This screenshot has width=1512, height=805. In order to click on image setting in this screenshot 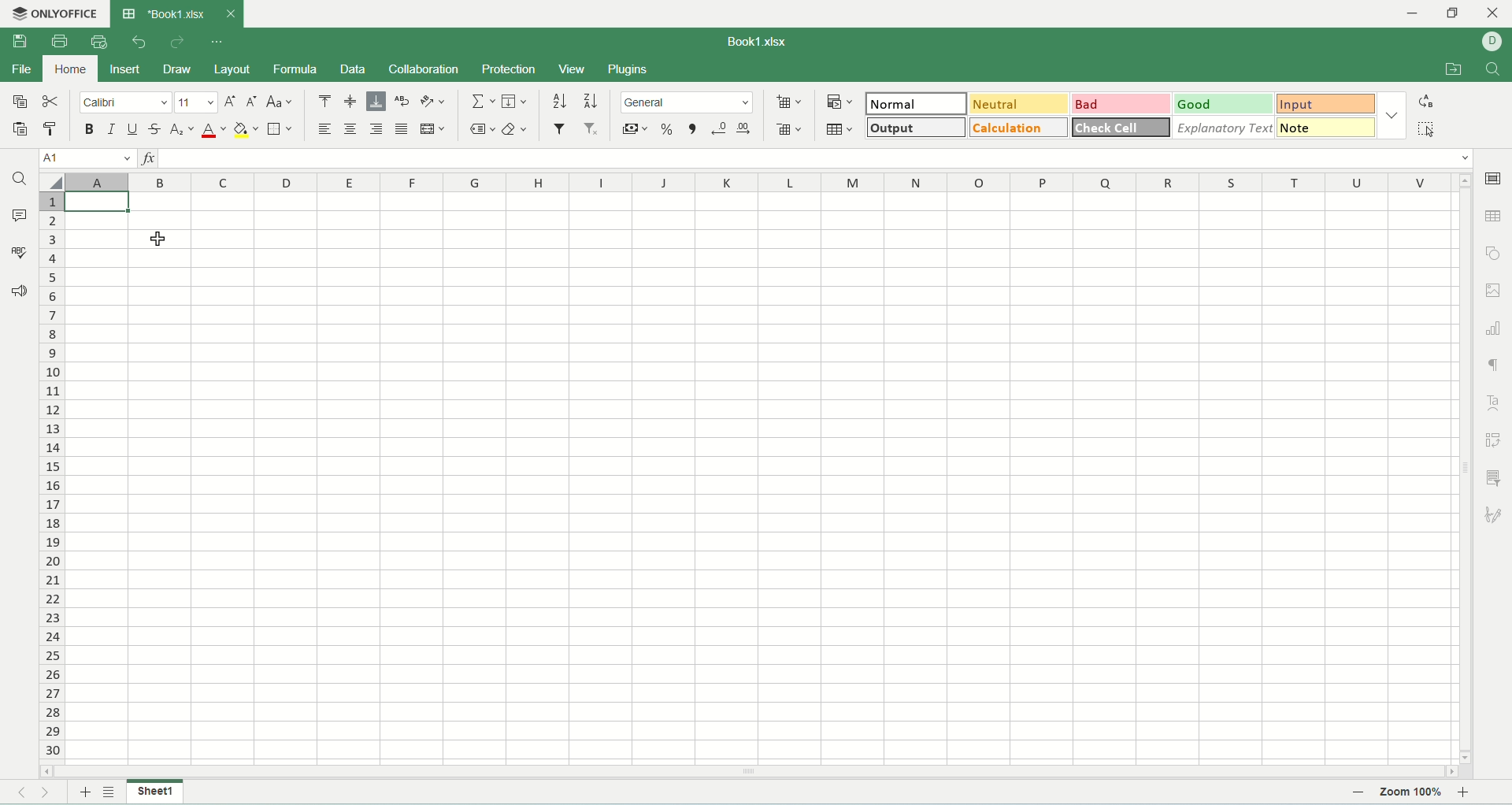, I will do `click(1495, 288)`.